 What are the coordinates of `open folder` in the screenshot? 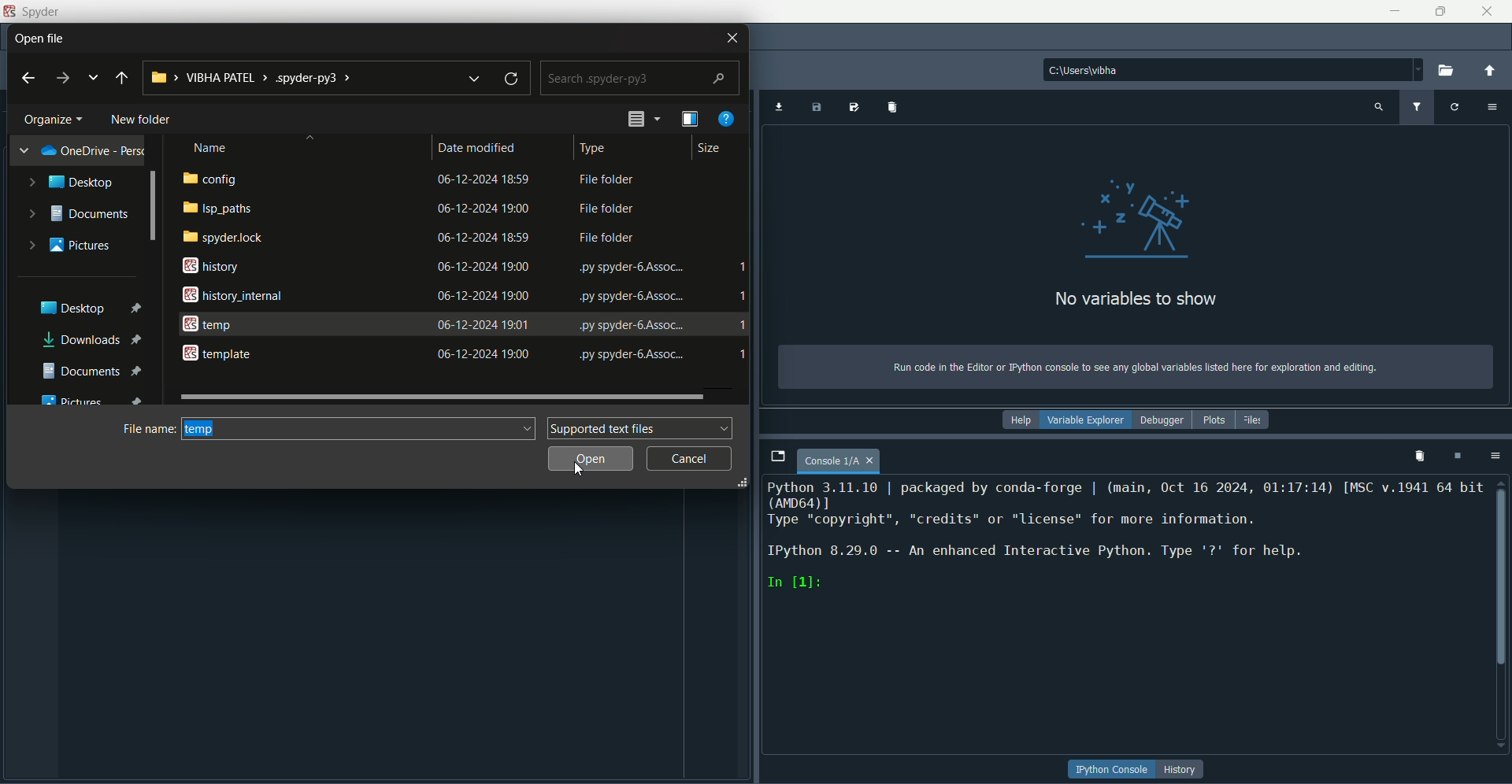 It's located at (1450, 70).